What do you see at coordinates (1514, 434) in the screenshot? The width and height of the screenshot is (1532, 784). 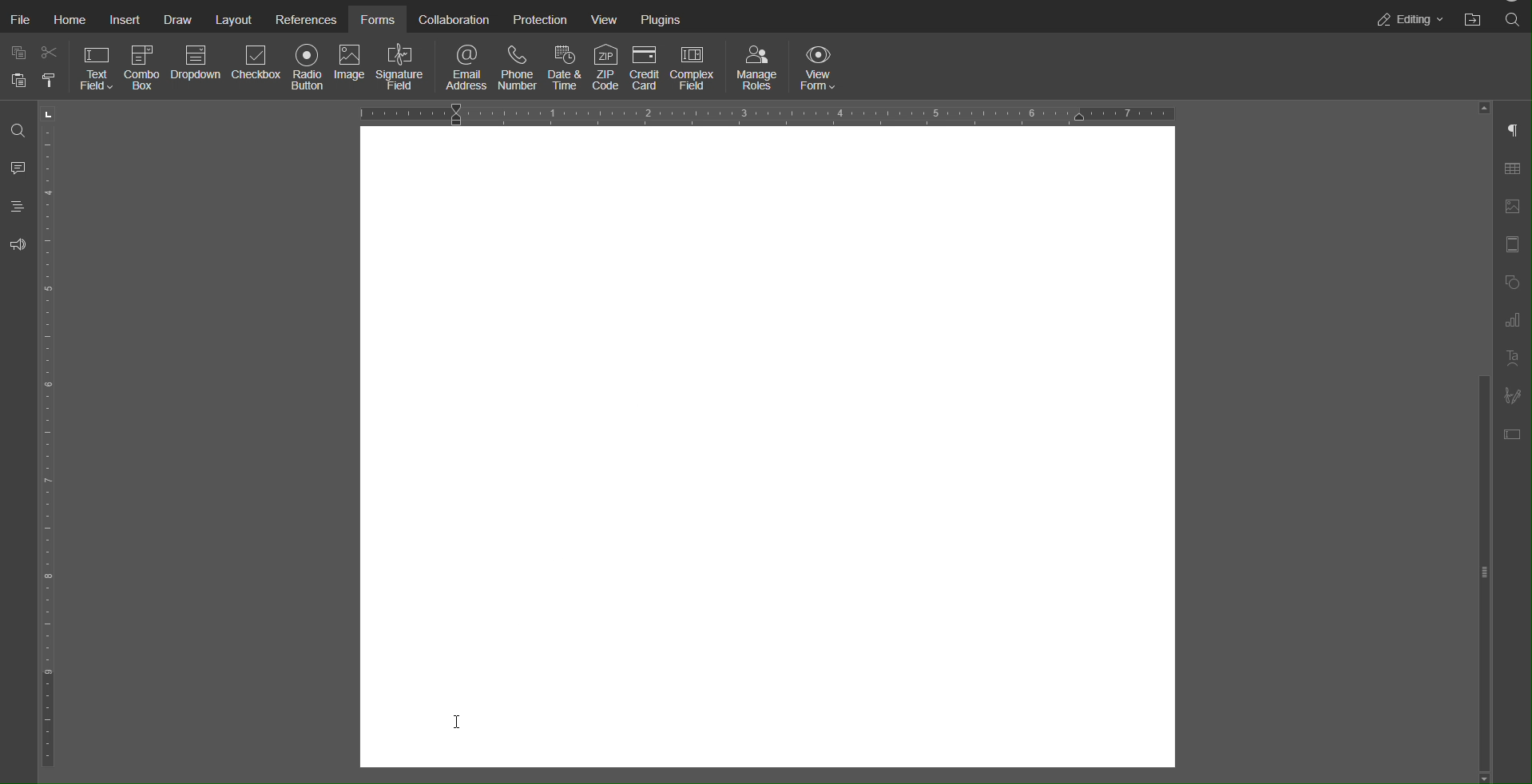 I see `Text Field Settings` at bounding box center [1514, 434].